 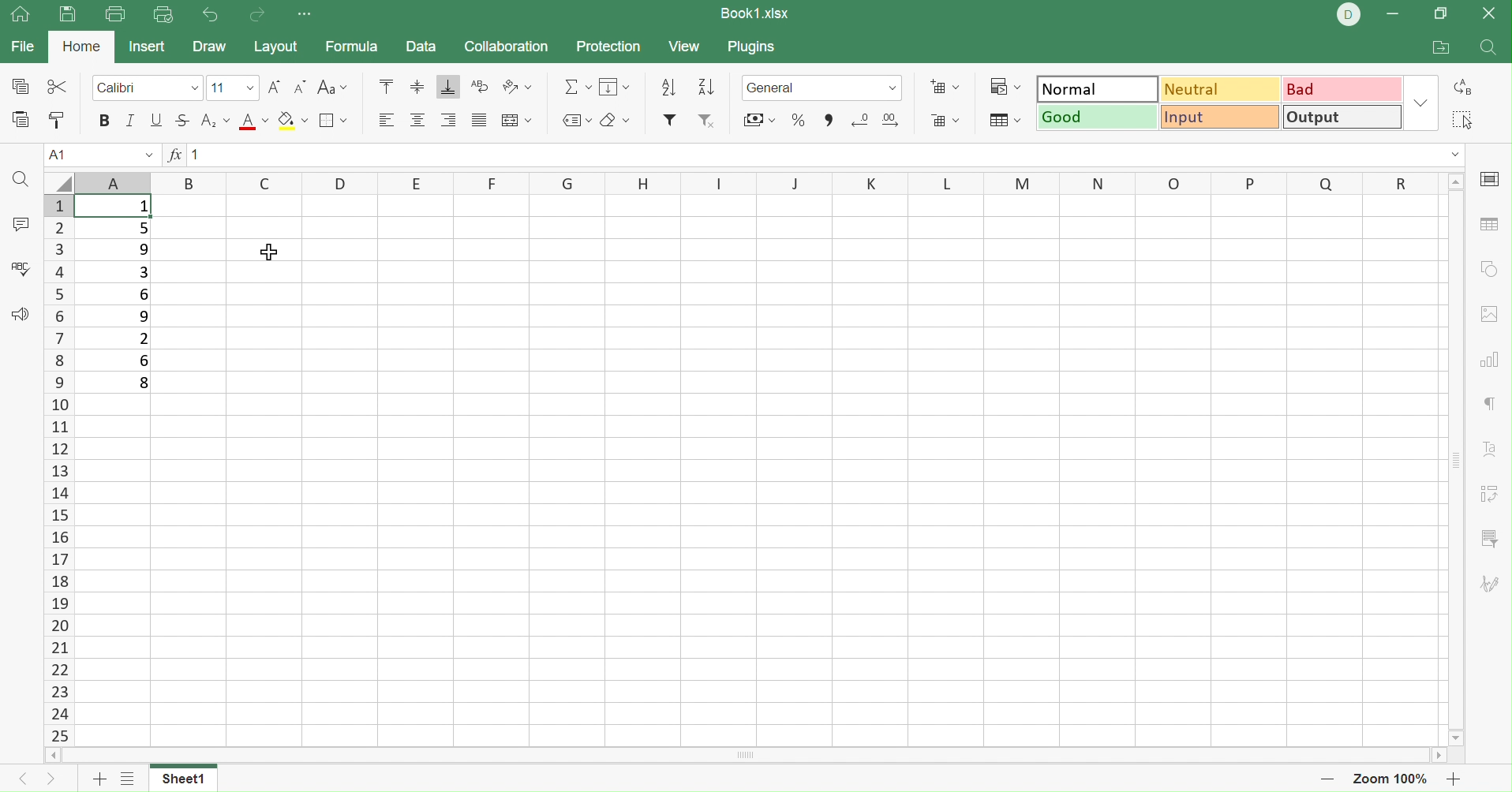 What do you see at coordinates (232, 88) in the screenshot?
I see `Font size` at bounding box center [232, 88].